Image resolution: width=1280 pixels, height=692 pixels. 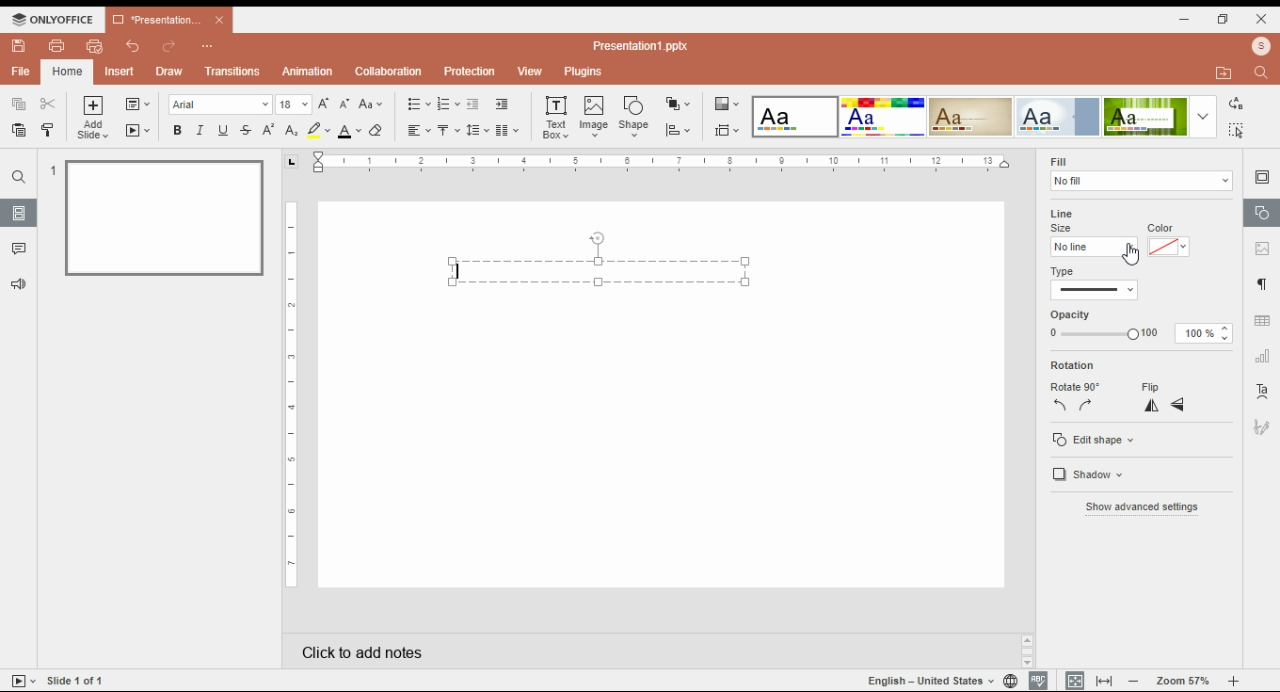 What do you see at coordinates (370, 104) in the screenshot?
I see `change case` at bounding box center [370, 104].